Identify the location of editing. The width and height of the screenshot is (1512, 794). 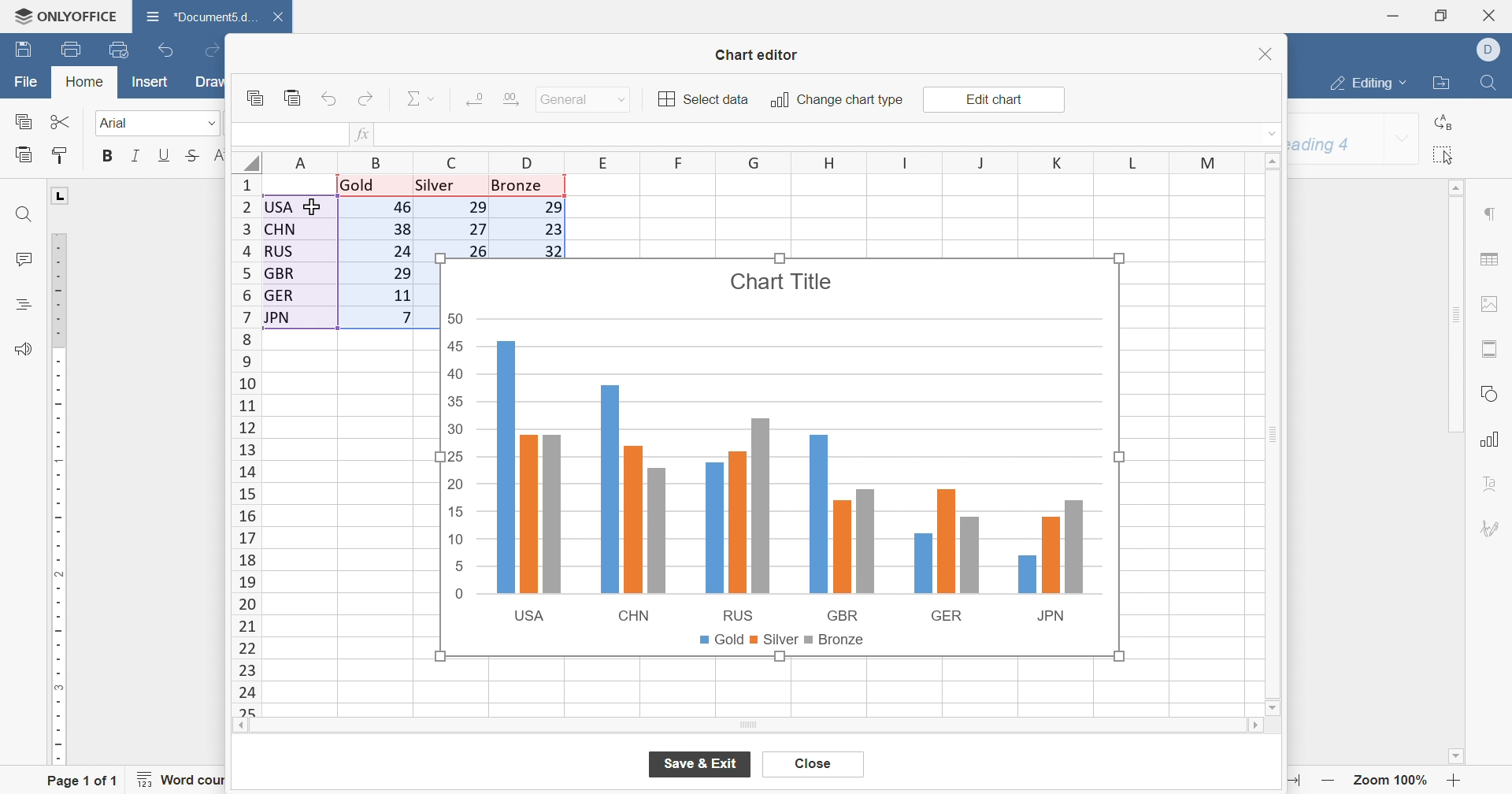
(1369, 84).